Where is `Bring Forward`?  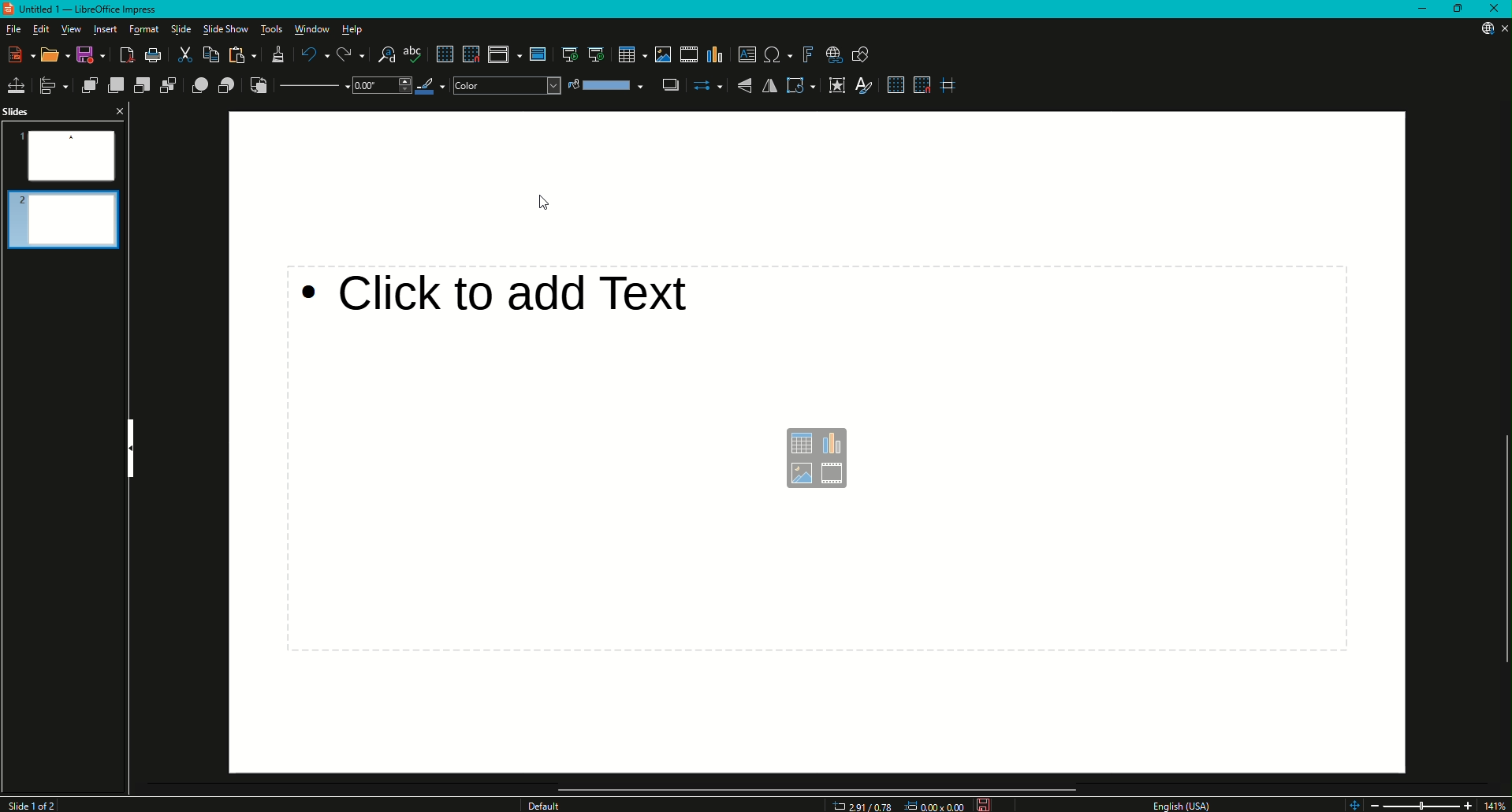
Bring Forward is located at coordinates (114, 85).